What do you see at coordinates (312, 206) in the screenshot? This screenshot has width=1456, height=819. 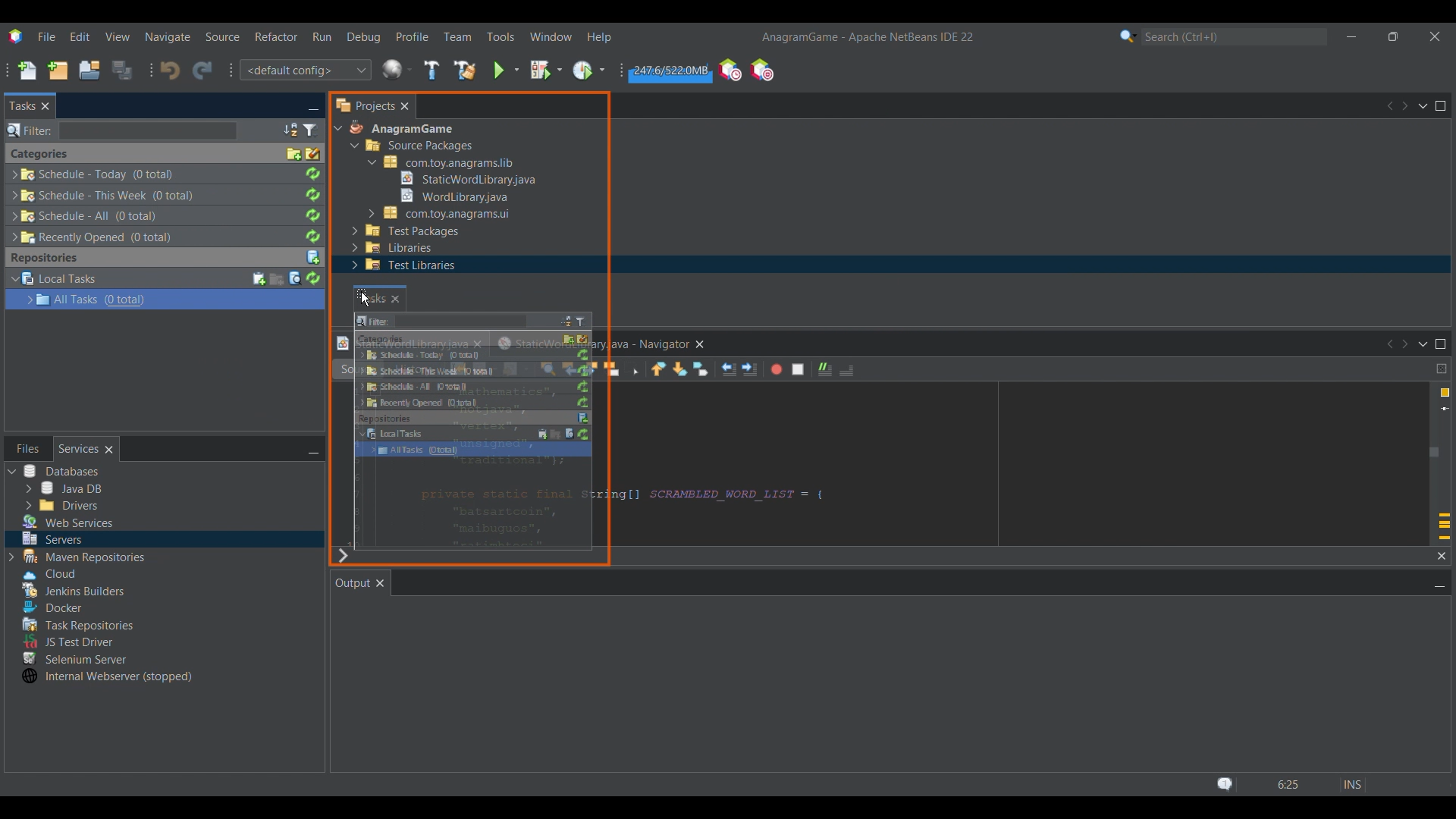 I see `Refresh respective task` at bounding box center [312, 206].